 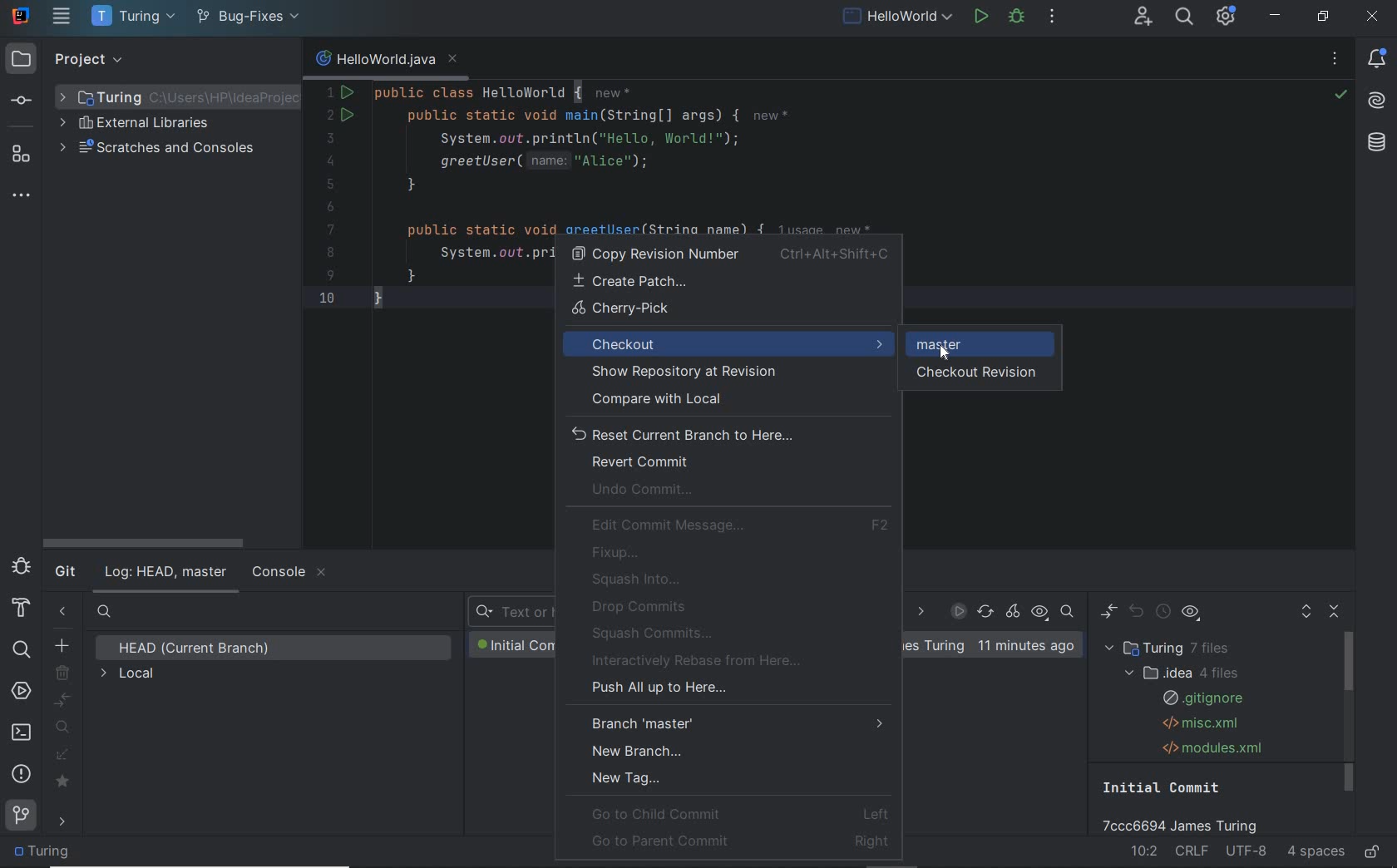 What do you see at coordinates (985, 613) in the screenshot?
I see `Refresh` at bounding box center [985, 613].